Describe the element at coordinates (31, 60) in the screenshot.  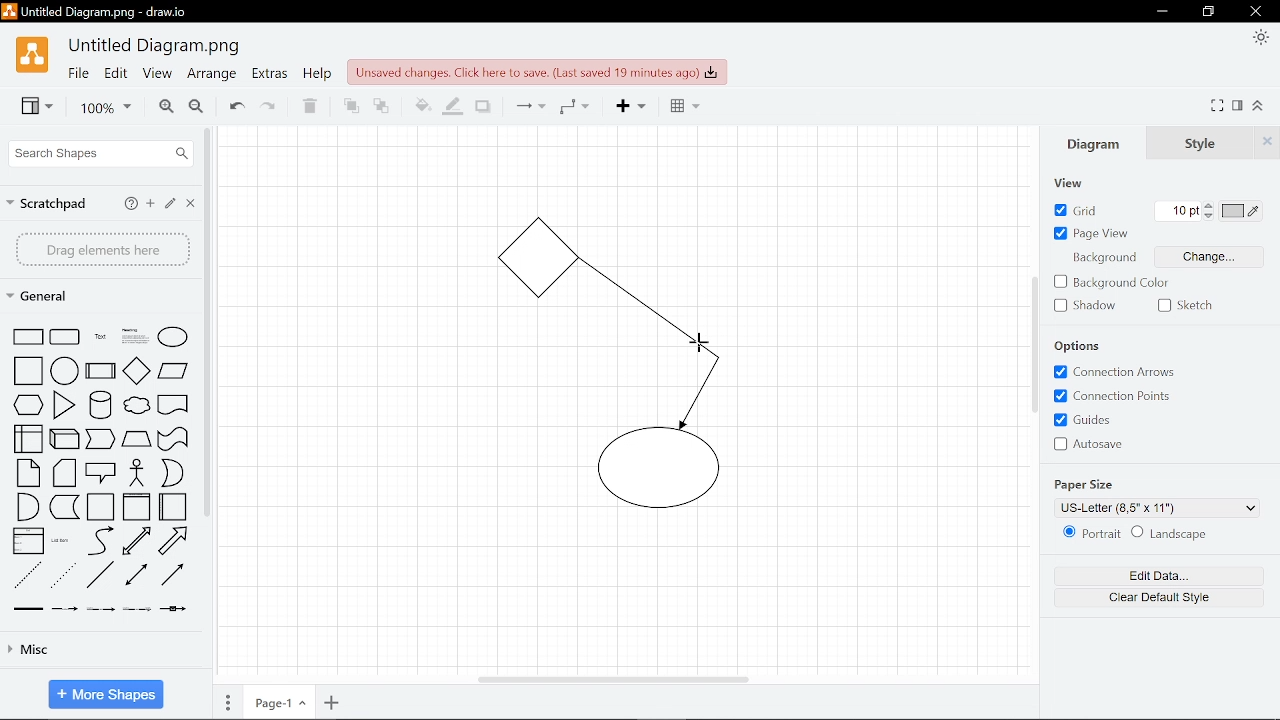
I see `Draw.io logo` at that location.